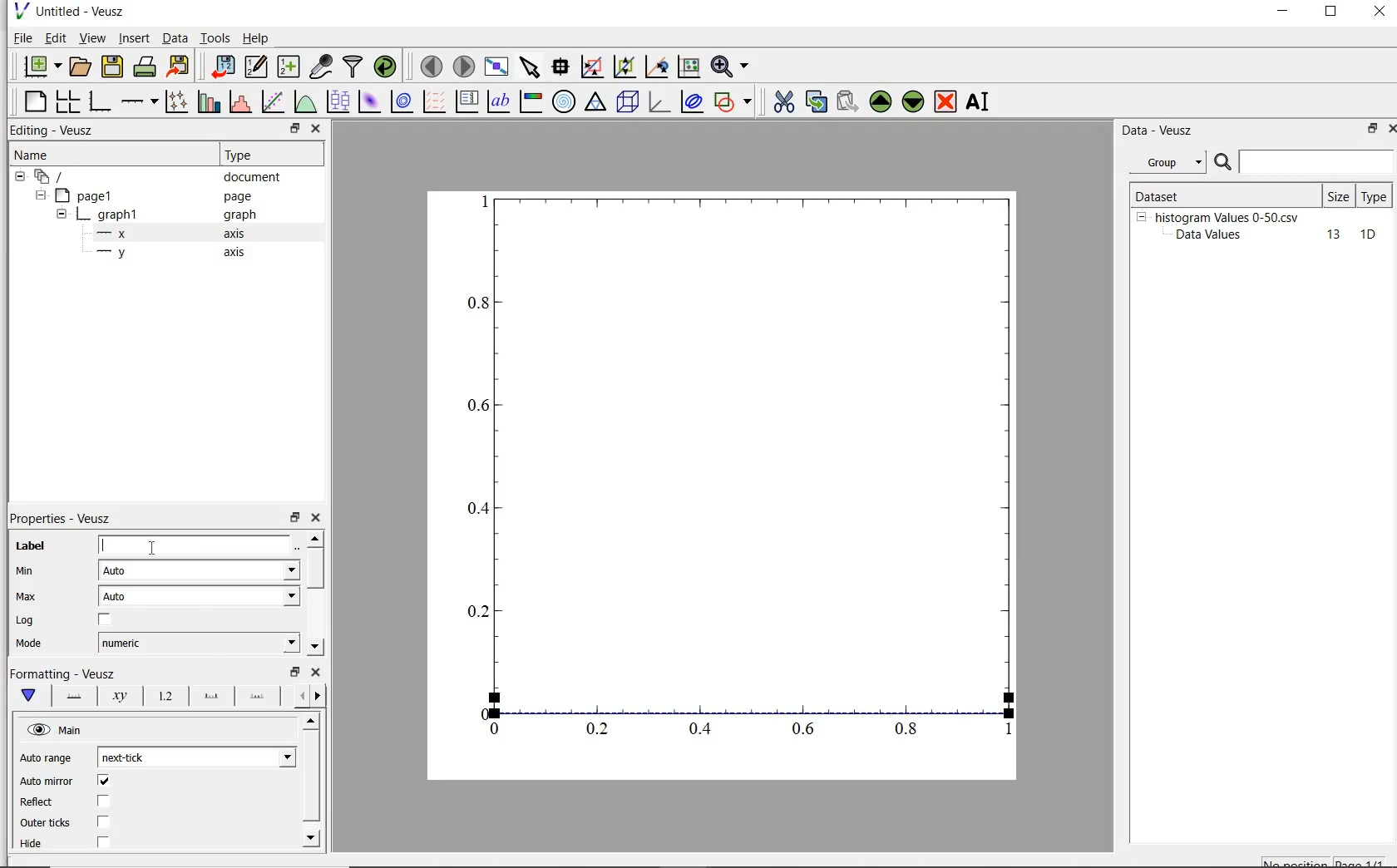  Describe the element at coordinates (47, 780) in the screenshot. I see `‘Auto mirror` at that location.